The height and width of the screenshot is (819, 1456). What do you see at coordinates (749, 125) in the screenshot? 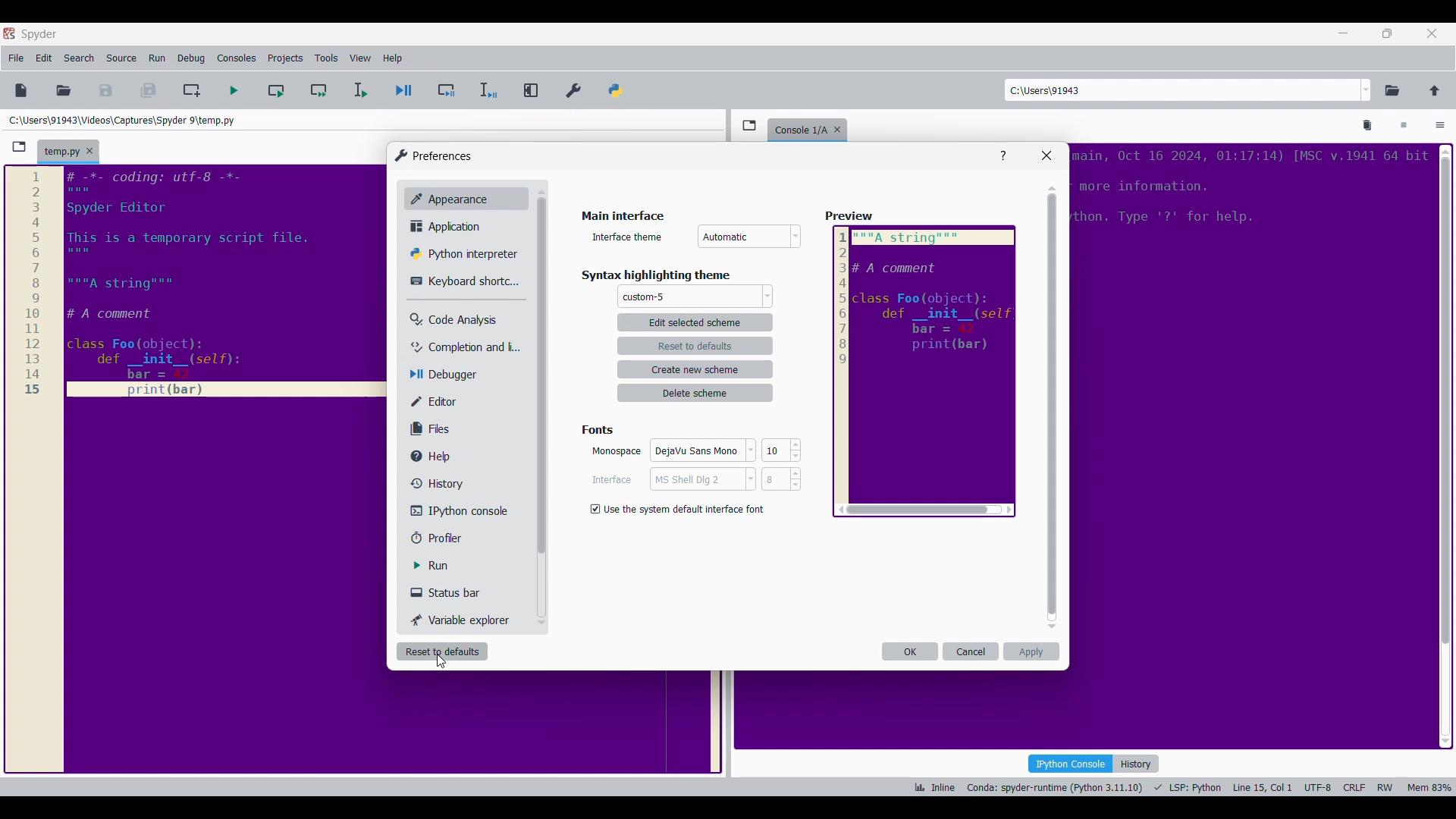
I see `Browse tabs` at bounding box center [749, 125].